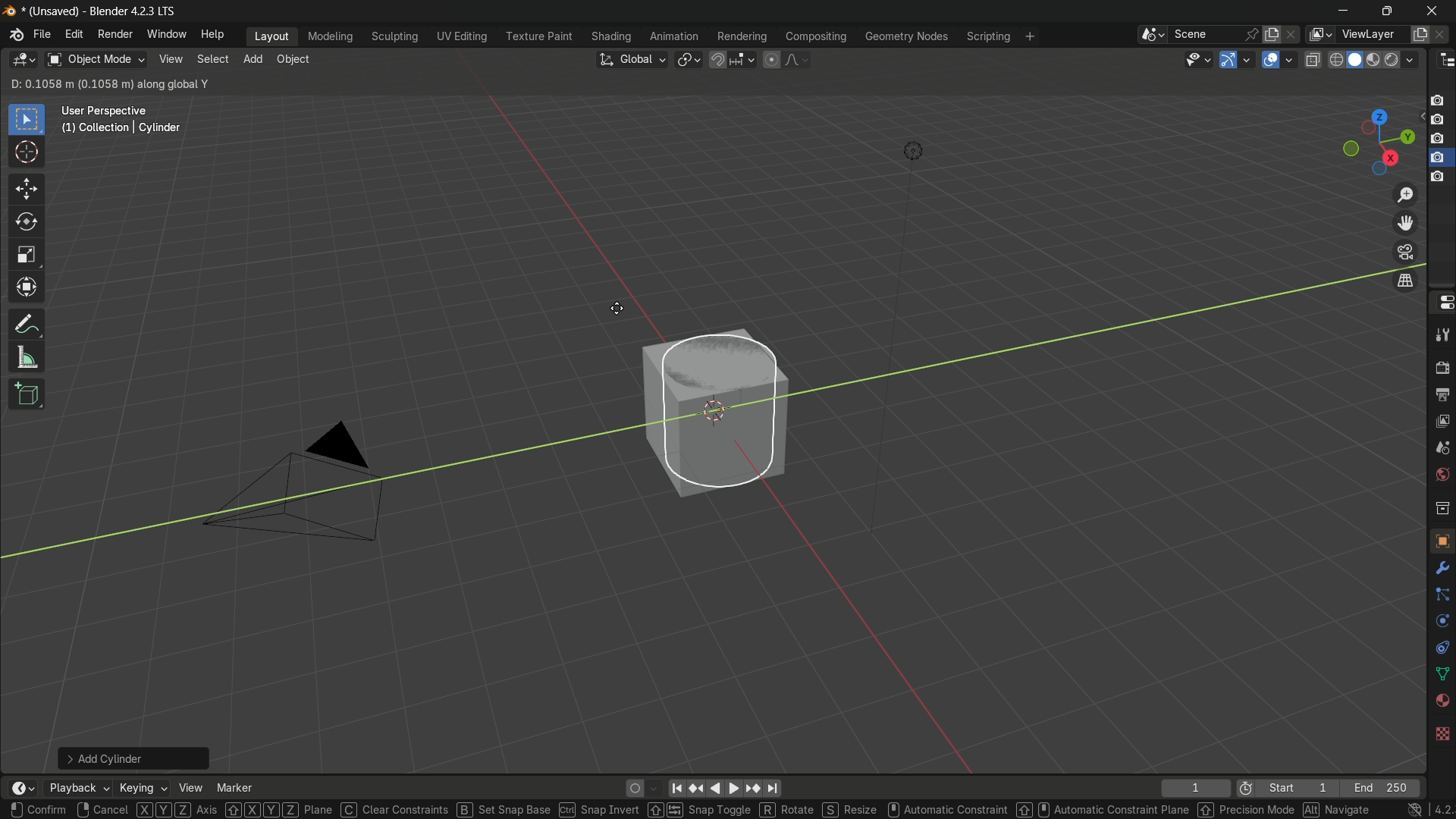 The image size is (1456, 819). Describe the element at coordinates (679, 789) in the screenshot. I see `move to the beginning` at that location.